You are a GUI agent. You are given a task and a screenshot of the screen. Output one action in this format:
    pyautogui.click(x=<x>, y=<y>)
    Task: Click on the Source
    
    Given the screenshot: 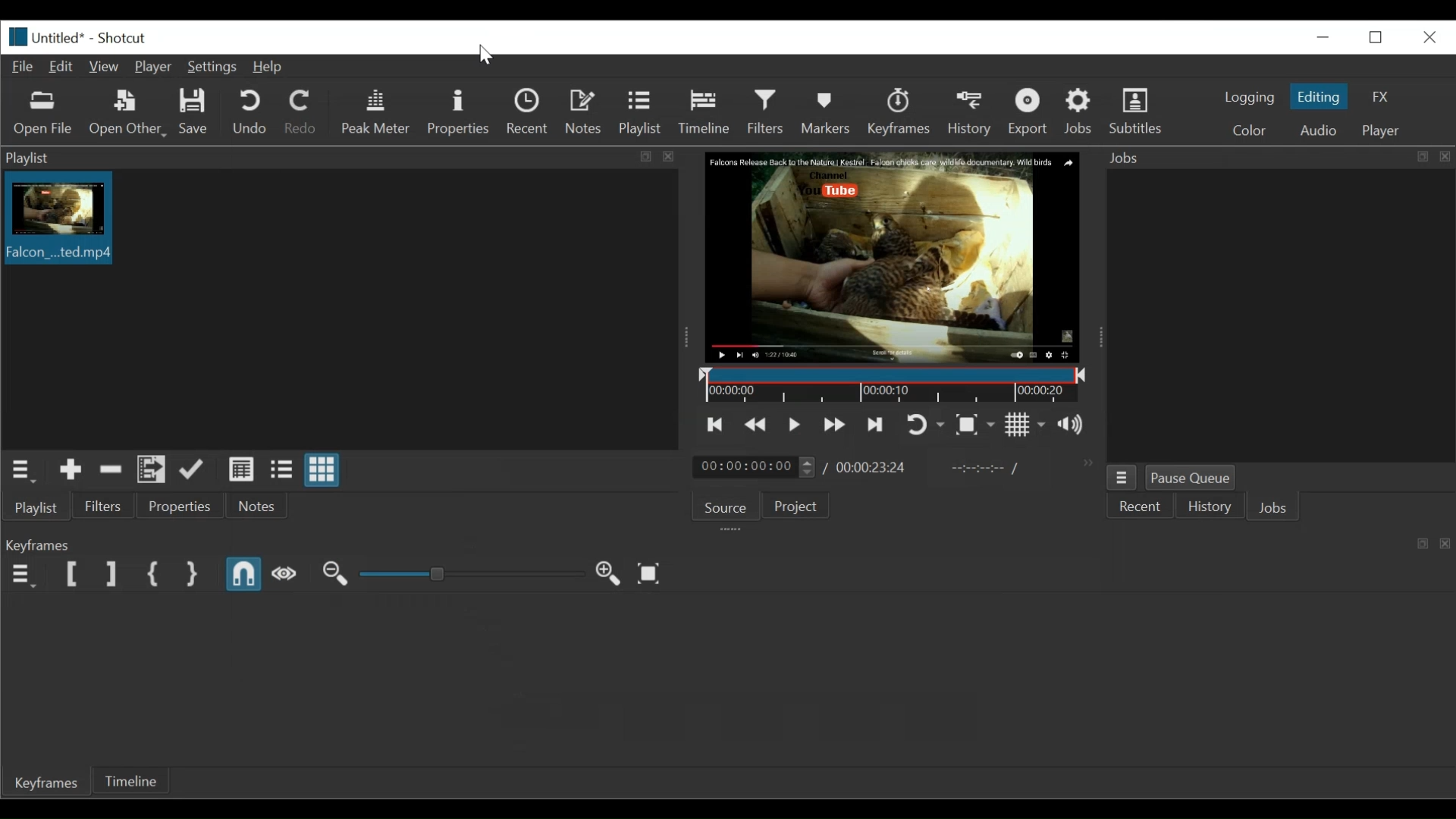 What is the action you would take?
    pyautogui.click(x=730, y=507)
    